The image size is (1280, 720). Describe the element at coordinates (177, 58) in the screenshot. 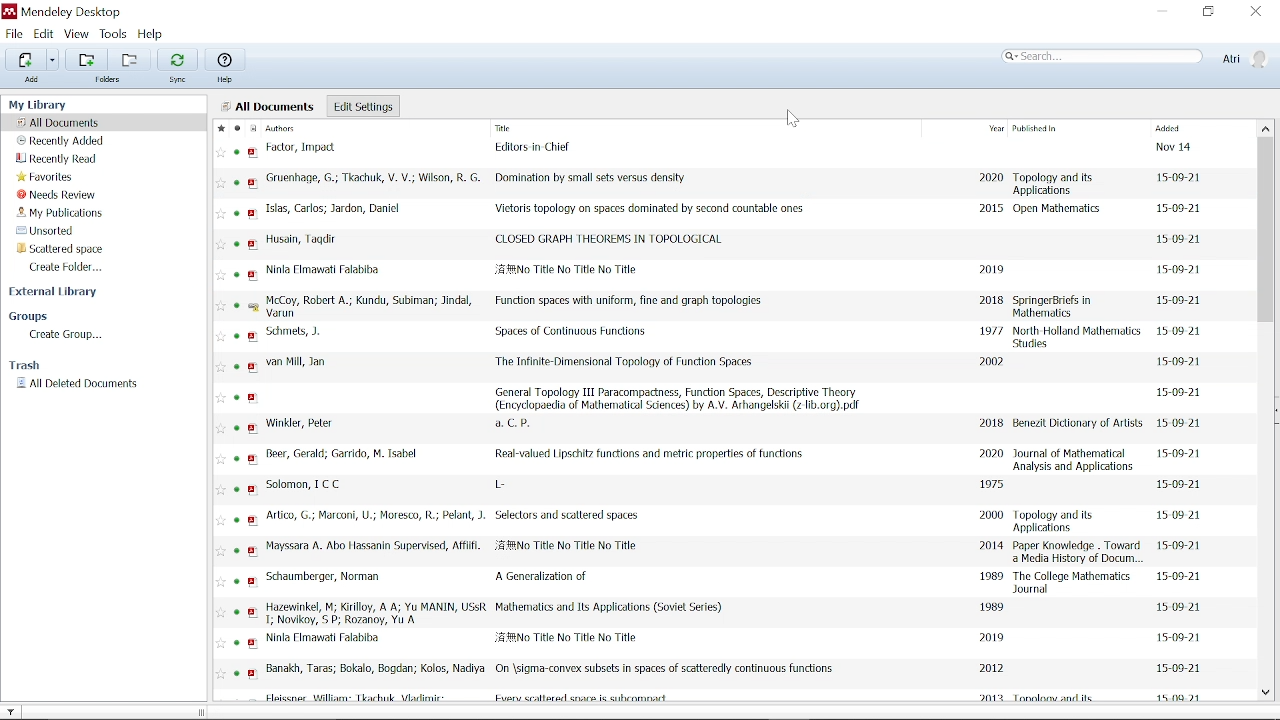

I see `Sync` at that location.